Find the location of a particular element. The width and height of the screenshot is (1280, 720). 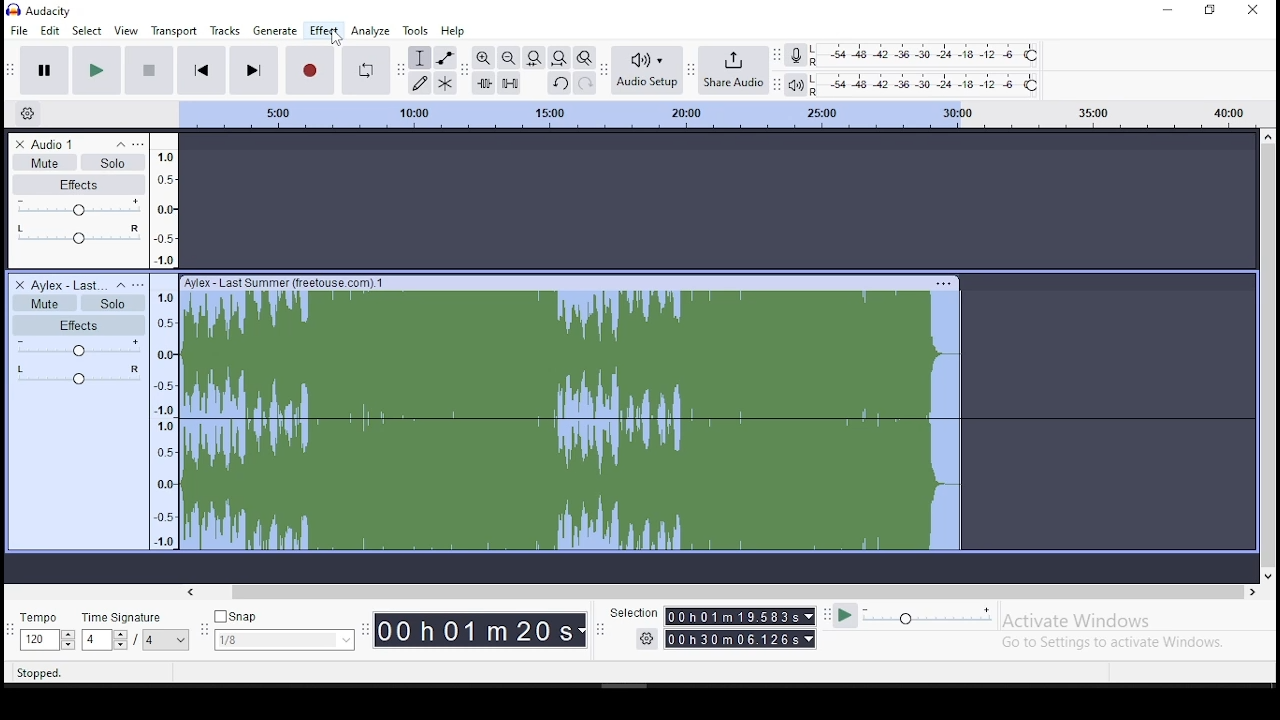

time is located at coordinates (482, 632).